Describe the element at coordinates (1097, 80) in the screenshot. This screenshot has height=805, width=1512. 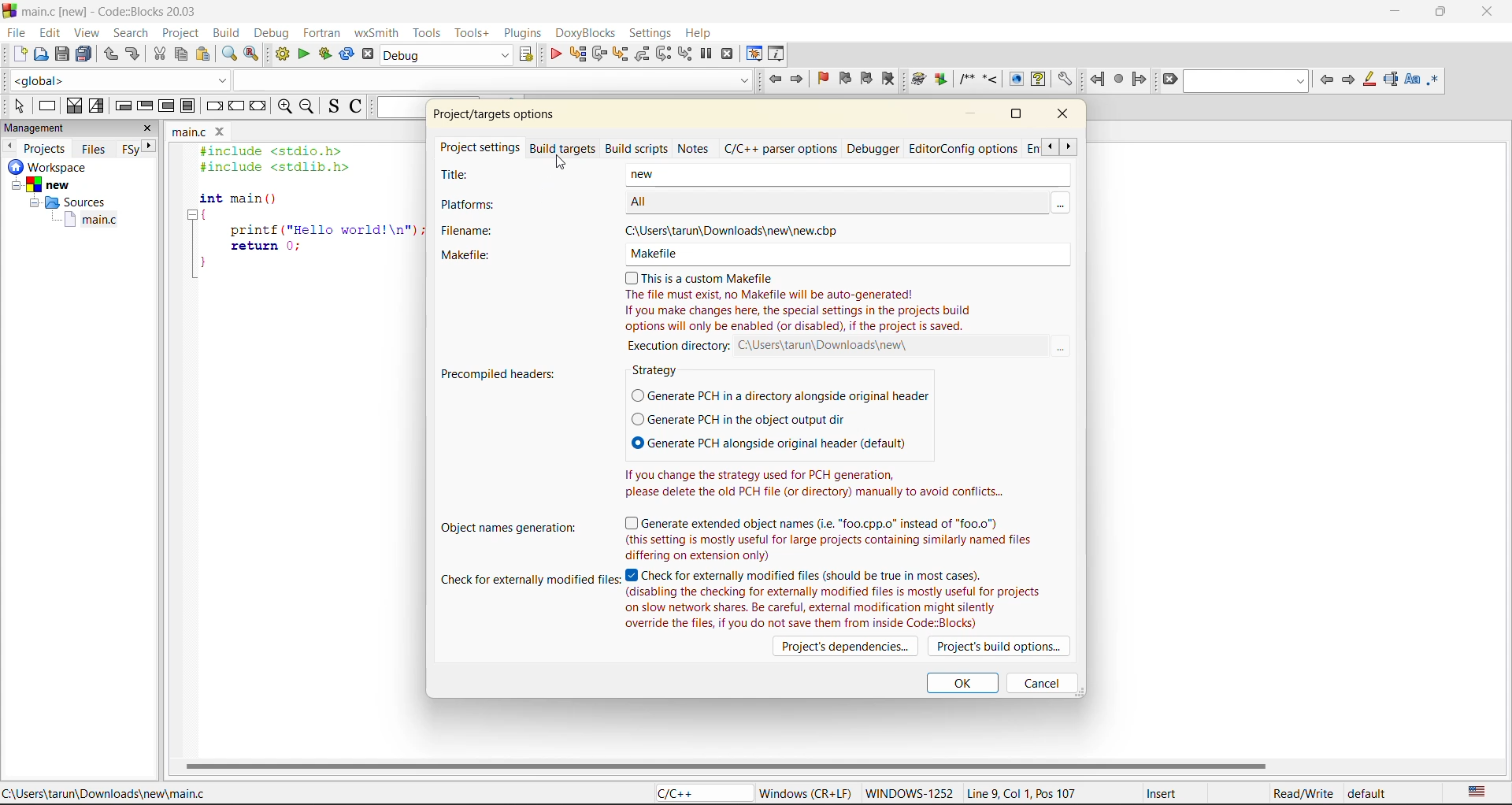
I see `jump back` at that location.